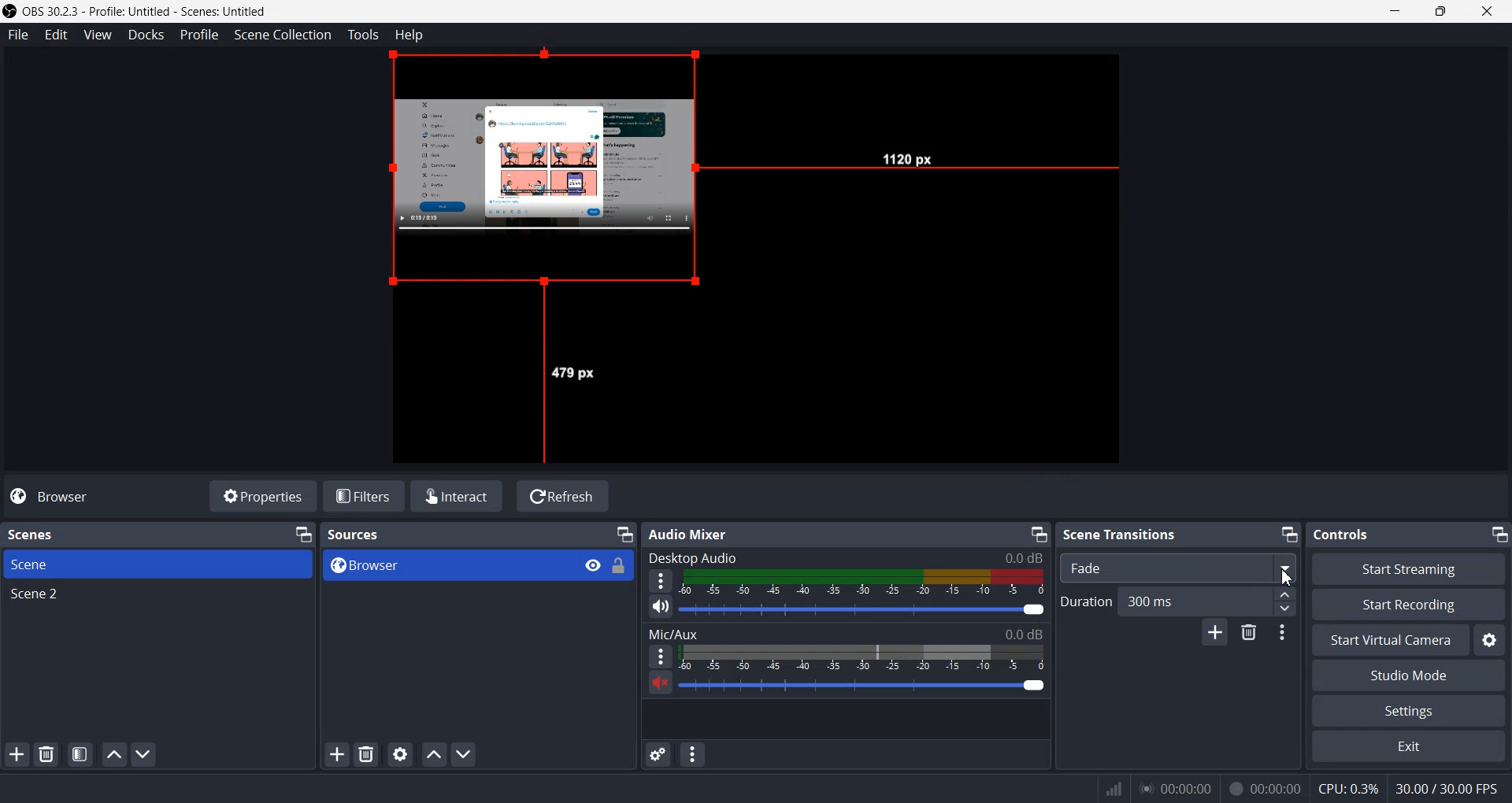  I want to click on Filters, so click(365, 496).